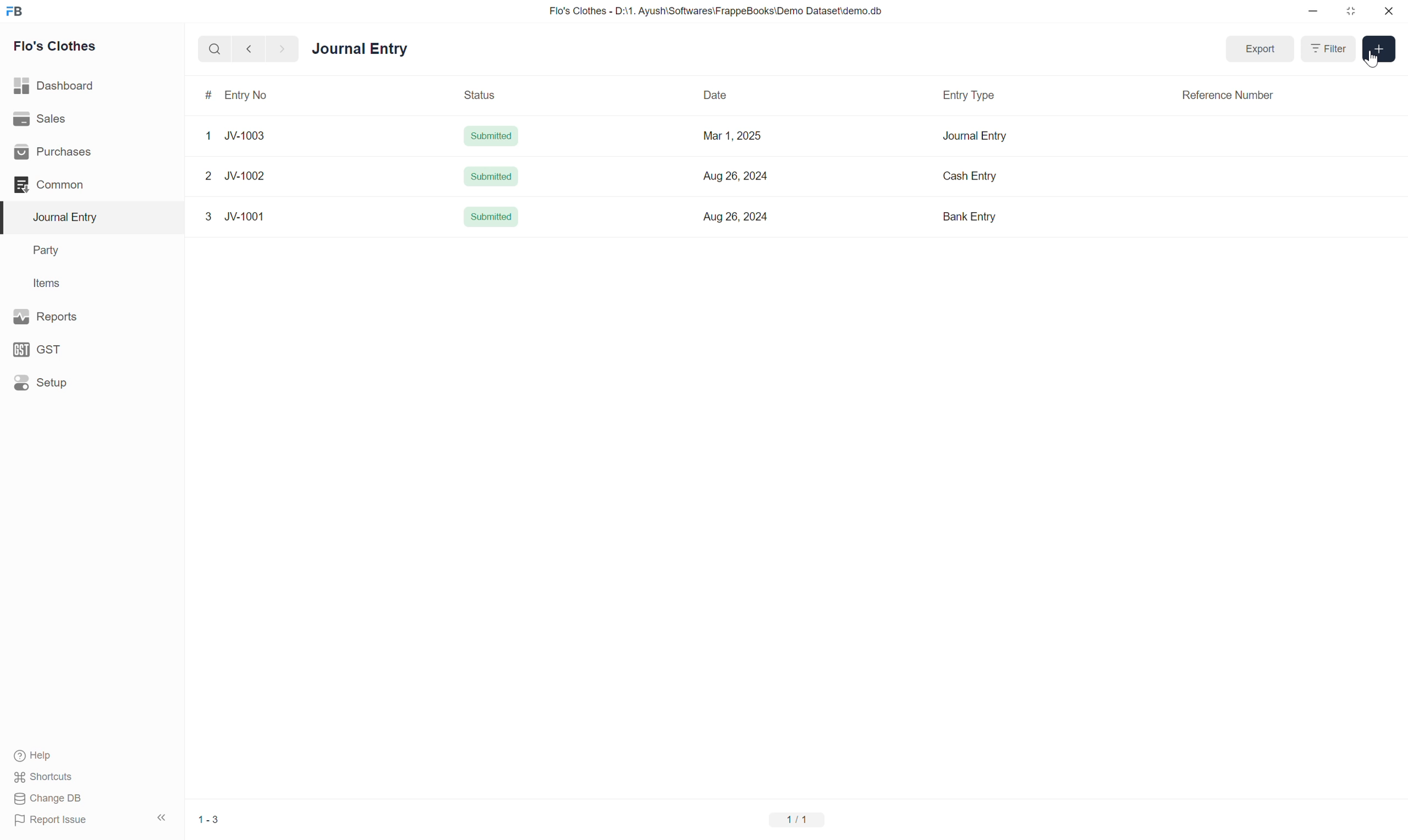 This screenshot has height=840, width=1408. I want to click on 1/1, so click(799, 821).